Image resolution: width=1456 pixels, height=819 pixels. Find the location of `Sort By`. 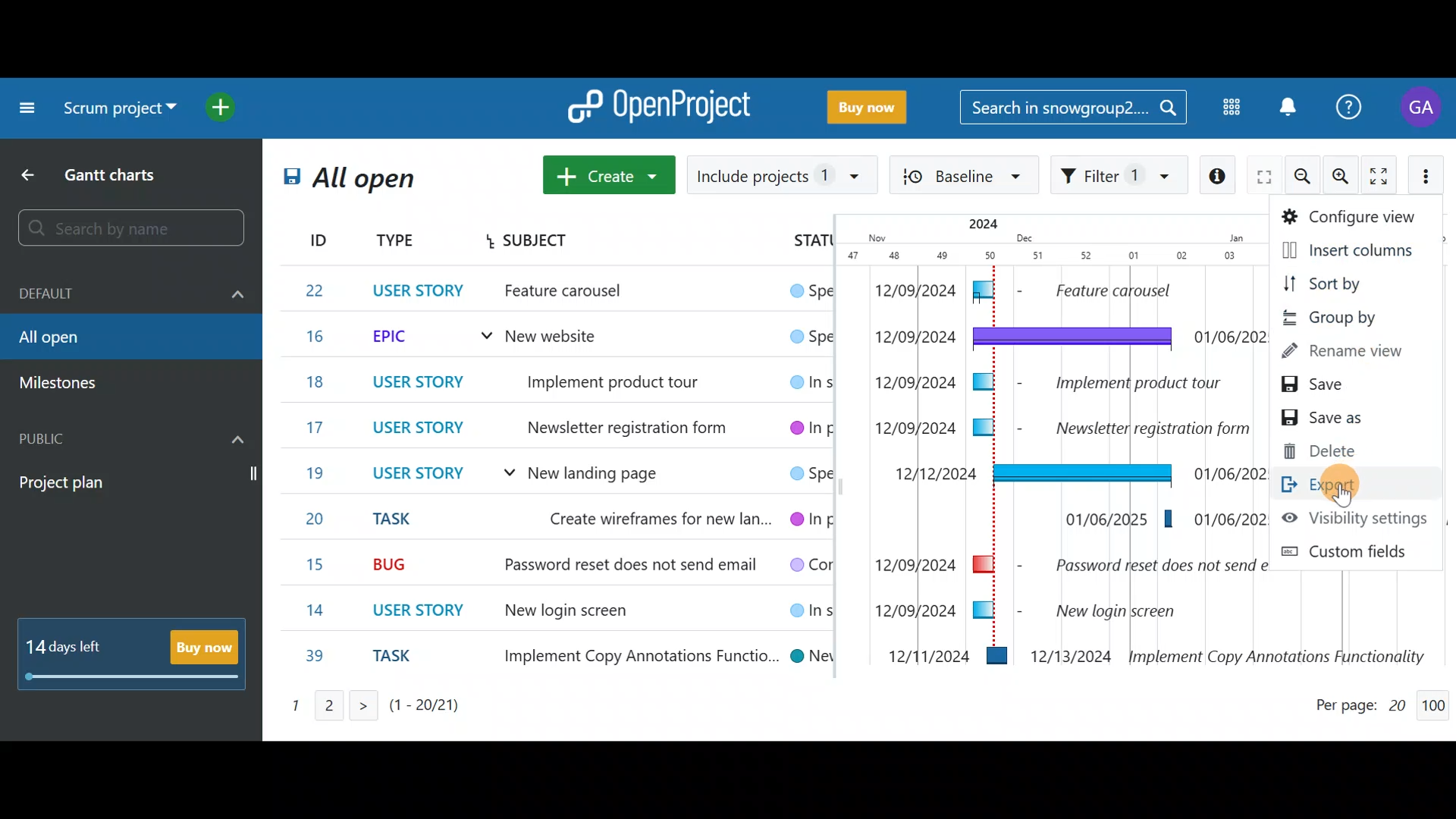

Sort By is located at coordinates (1336, 284).